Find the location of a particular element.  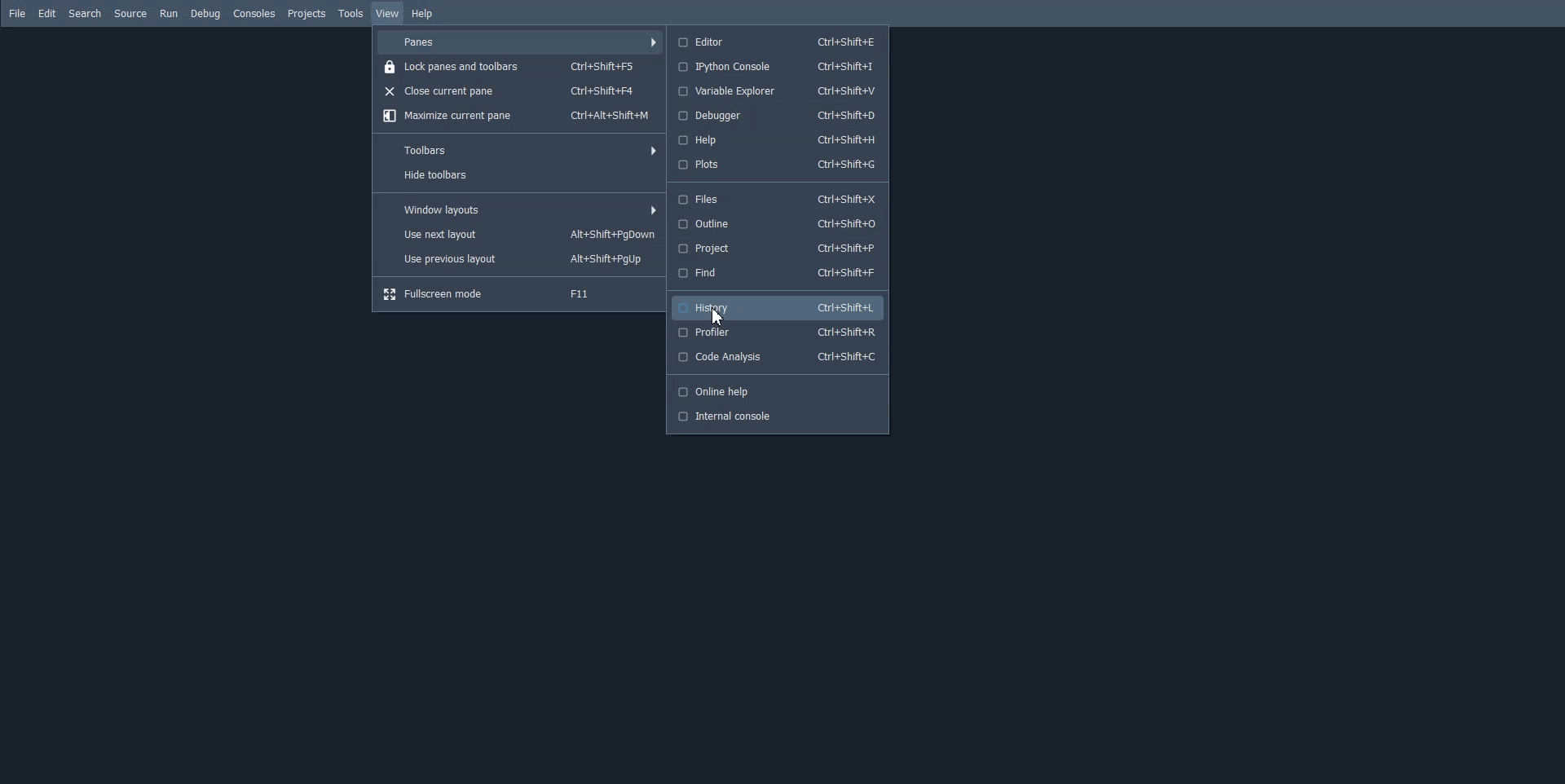

Fullscreen mode  is located at coordinates (520, 293).